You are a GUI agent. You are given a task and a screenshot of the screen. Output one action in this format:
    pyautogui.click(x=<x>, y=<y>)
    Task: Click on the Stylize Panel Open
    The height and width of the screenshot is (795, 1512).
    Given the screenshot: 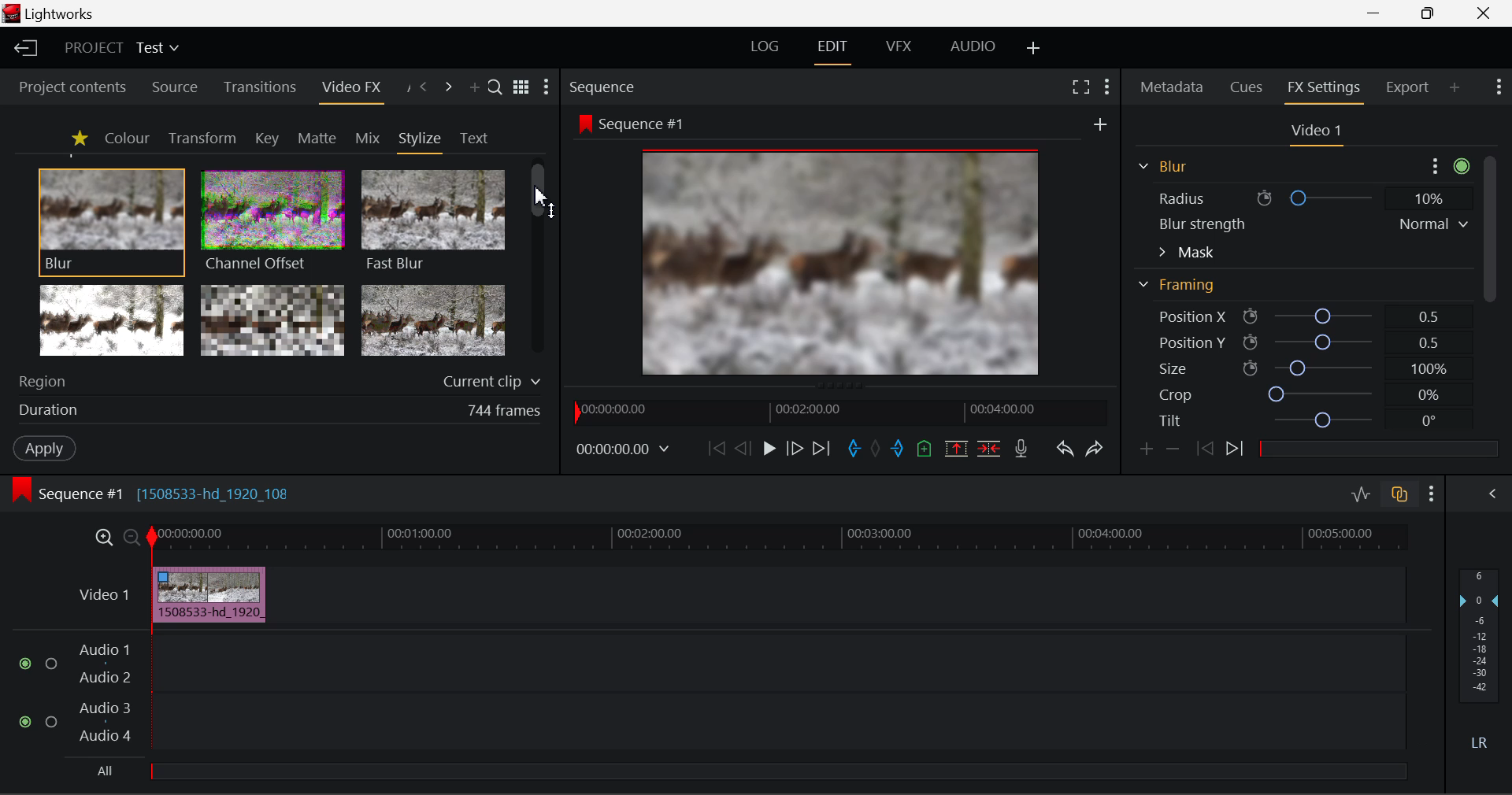 What is the action you would take?
    pyautogui.click(x=421, y=138)
    